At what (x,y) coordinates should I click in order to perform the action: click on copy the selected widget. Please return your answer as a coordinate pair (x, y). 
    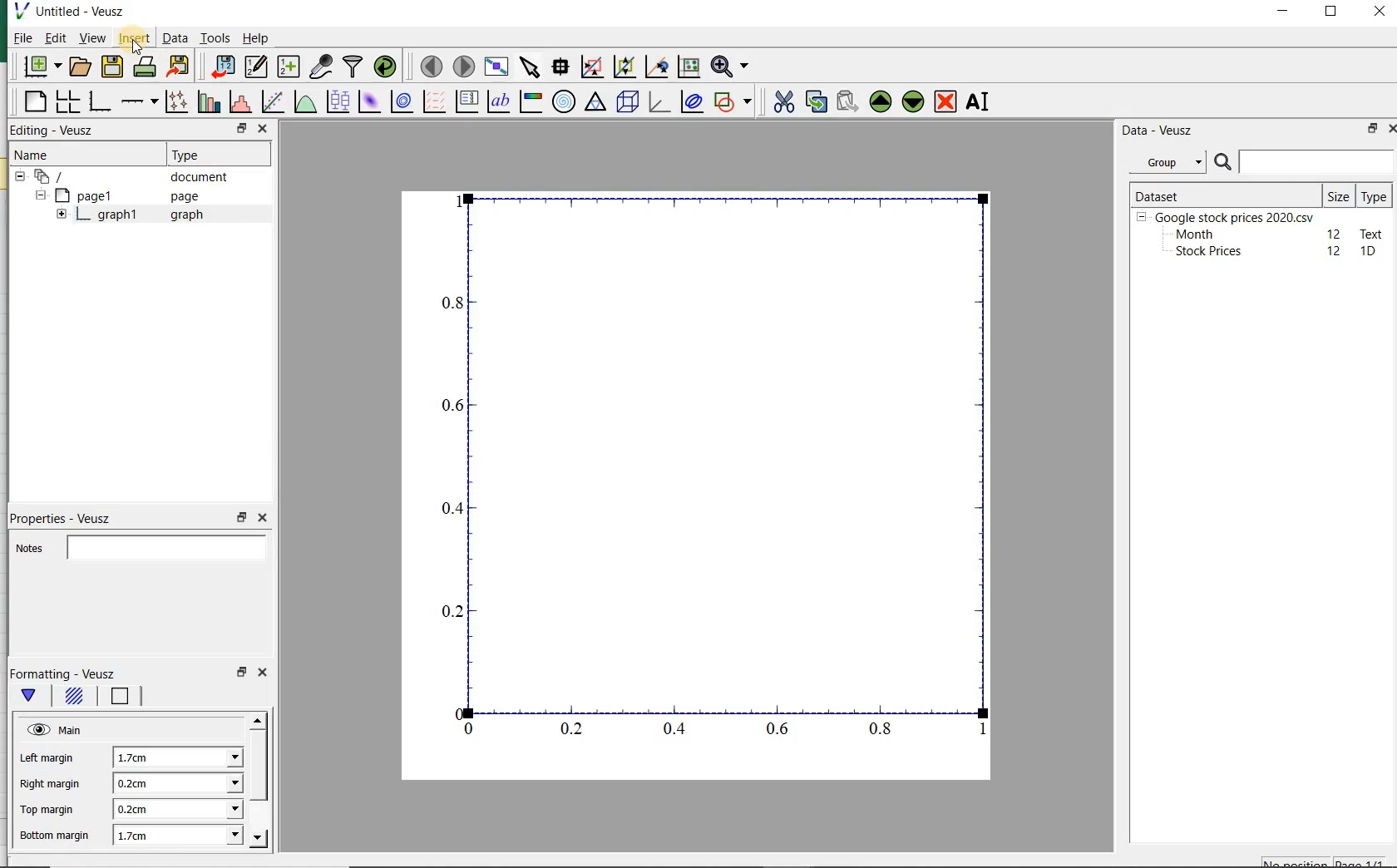
    Looking at the image, I should click on (815, 102).